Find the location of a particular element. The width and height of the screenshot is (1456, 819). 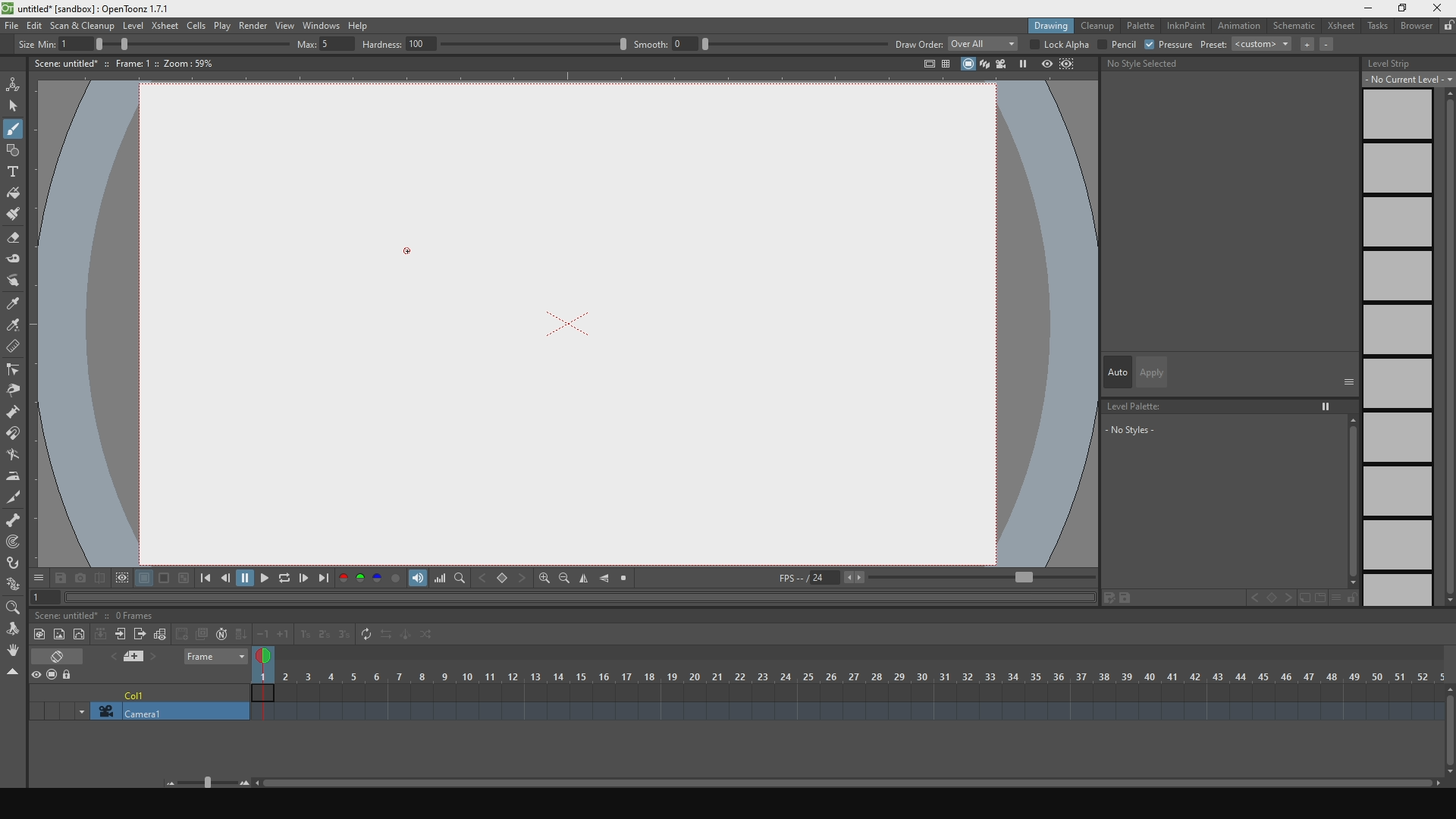

hardness is located at coordinates (491, 44).